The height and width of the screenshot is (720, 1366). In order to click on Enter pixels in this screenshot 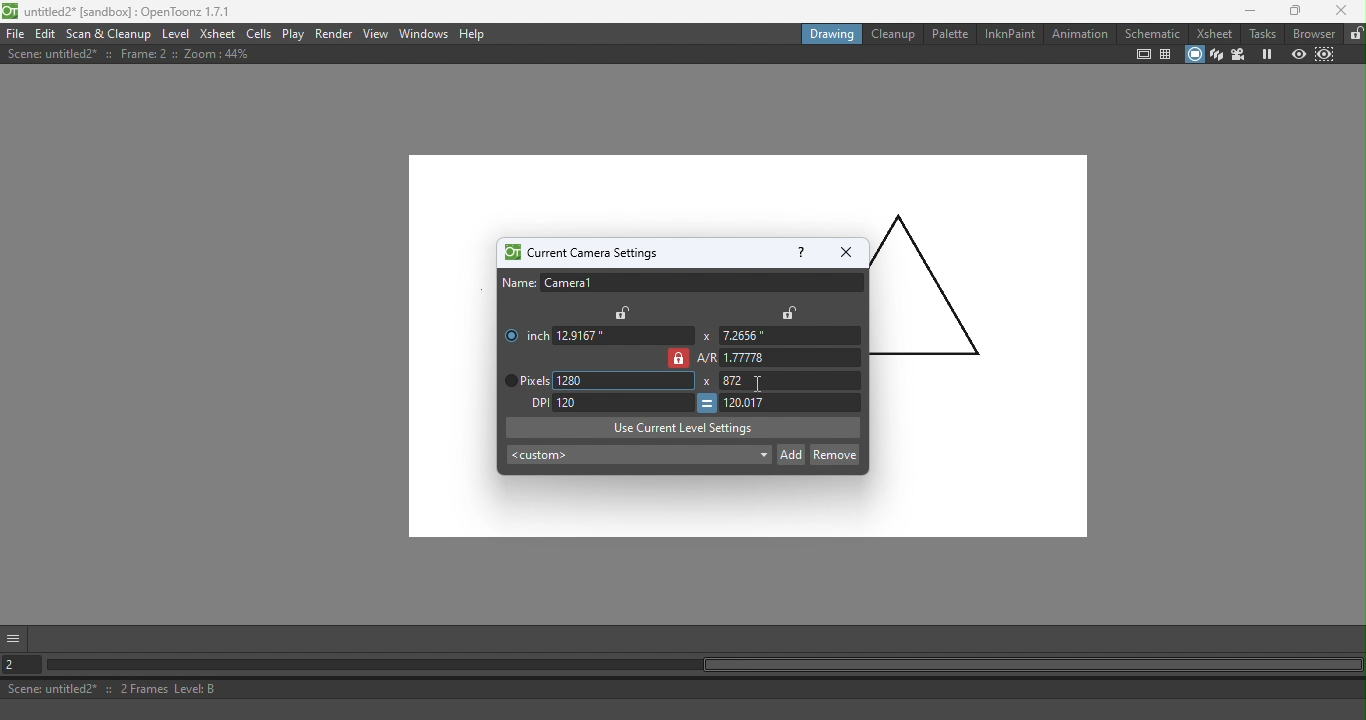, I will do `click(790, 381)`.